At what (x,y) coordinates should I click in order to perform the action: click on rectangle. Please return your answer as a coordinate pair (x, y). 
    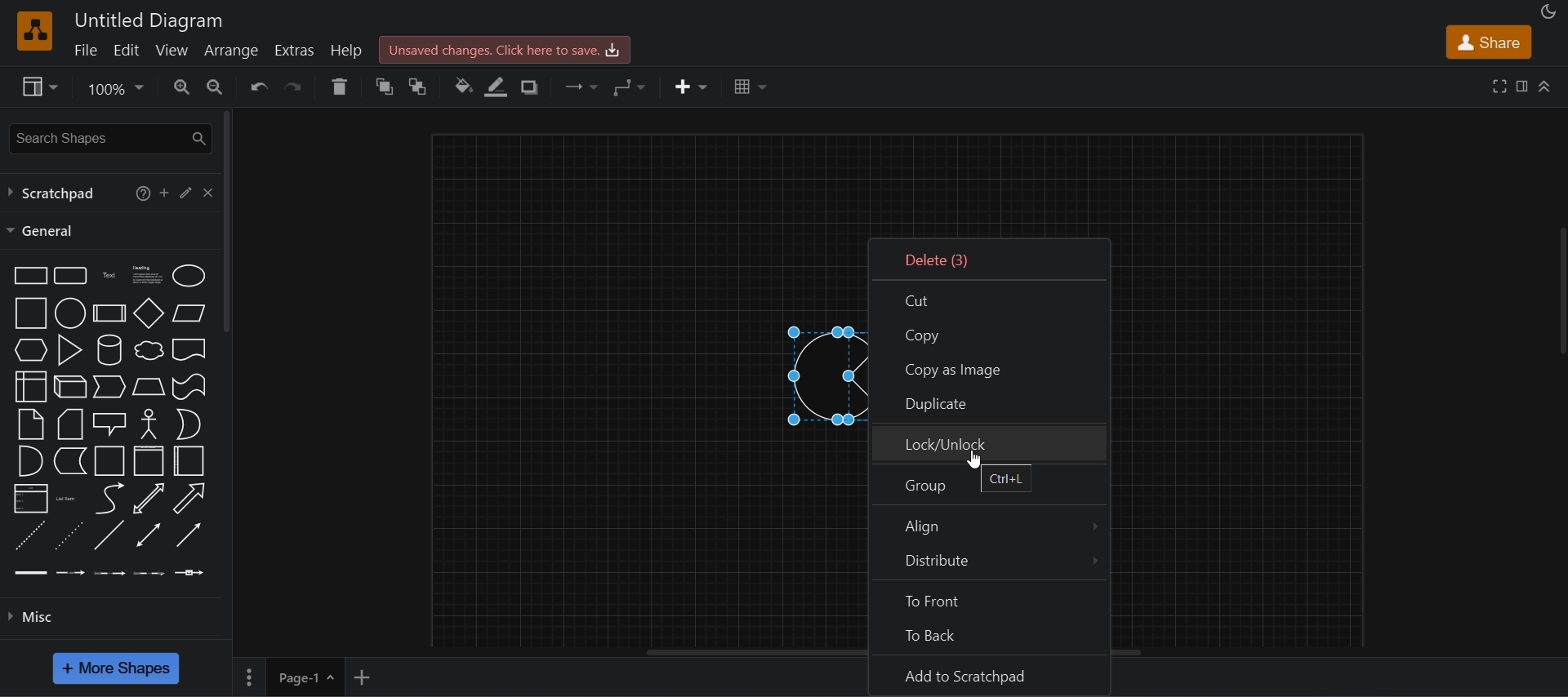
    Looking at the image, I should click on (27, 274).